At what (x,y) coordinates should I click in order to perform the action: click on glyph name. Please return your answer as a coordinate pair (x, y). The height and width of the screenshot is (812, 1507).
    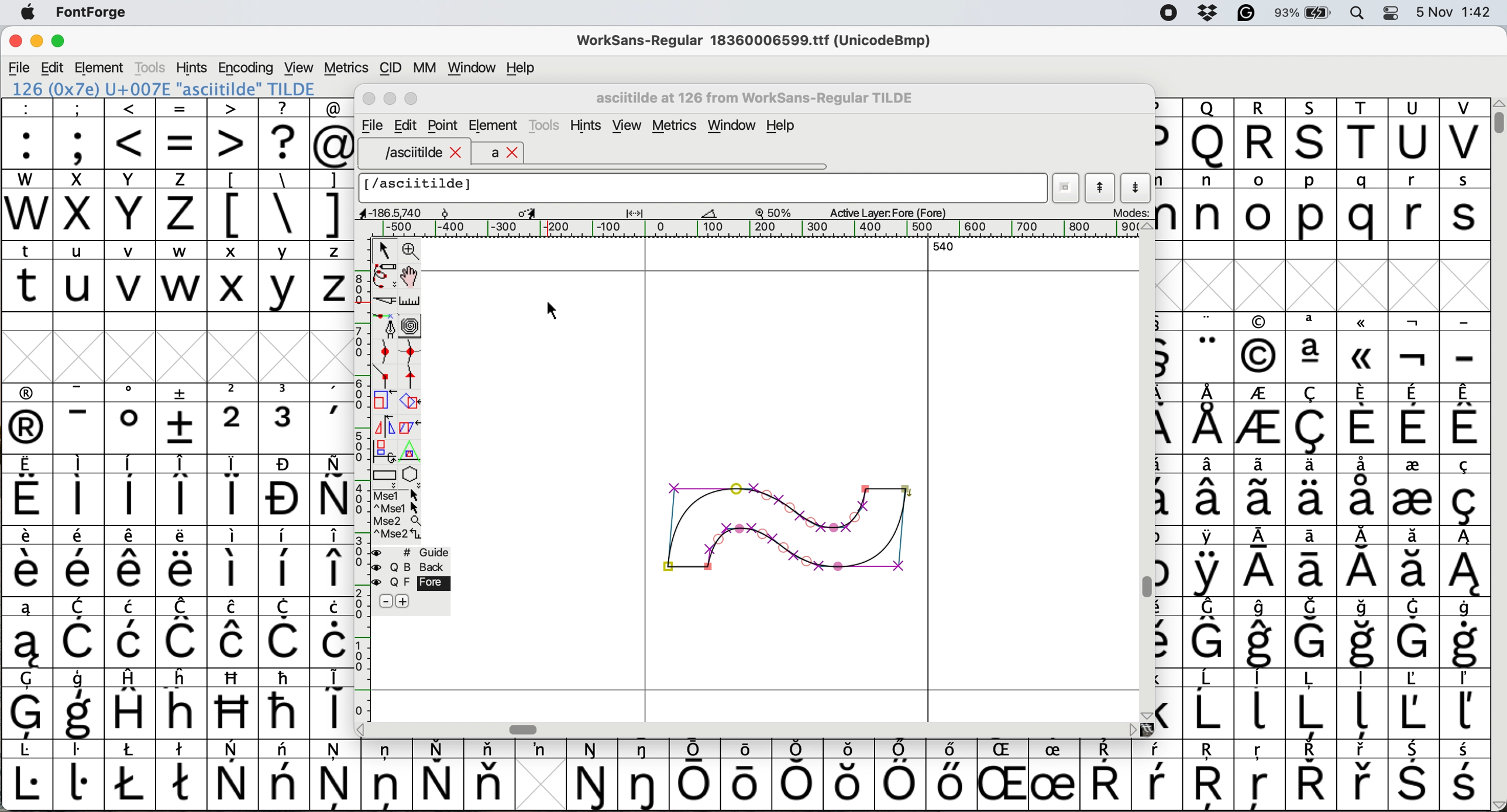
    Looking at the image, I should click on (758, 97).